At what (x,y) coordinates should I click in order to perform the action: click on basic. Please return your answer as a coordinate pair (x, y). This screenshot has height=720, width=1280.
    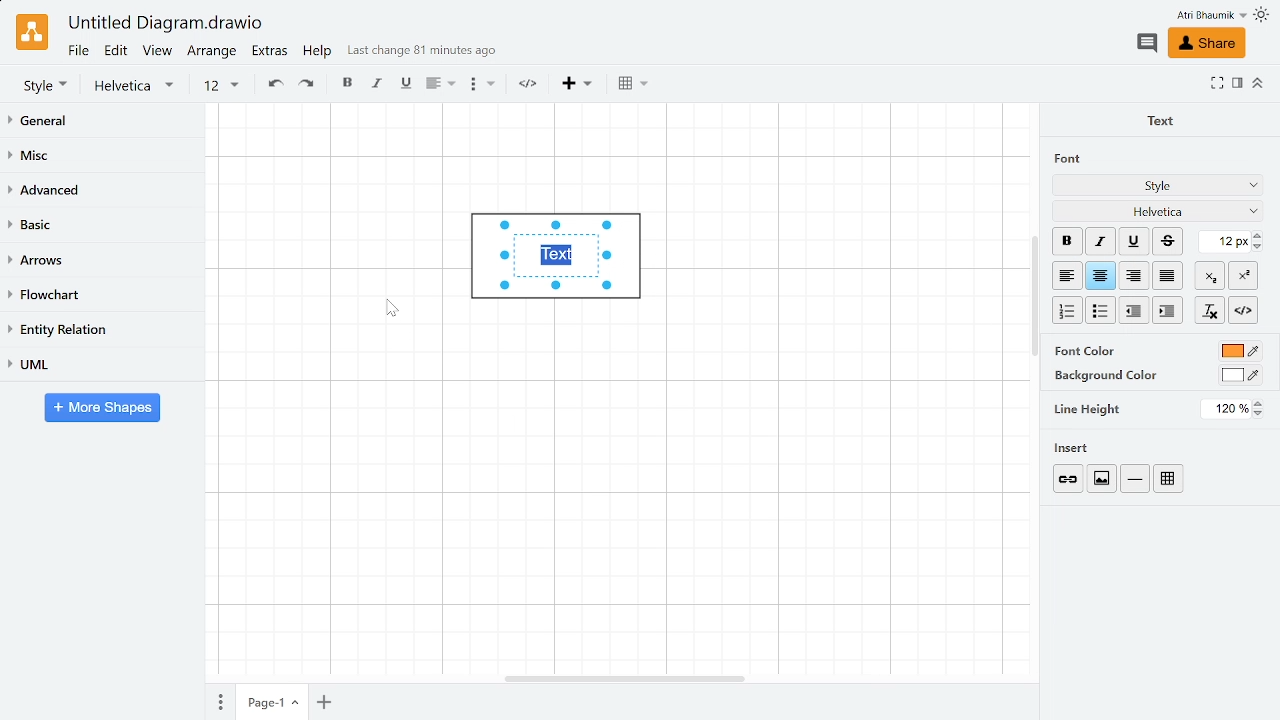
    Looking at the image, I should click on (102, 226).